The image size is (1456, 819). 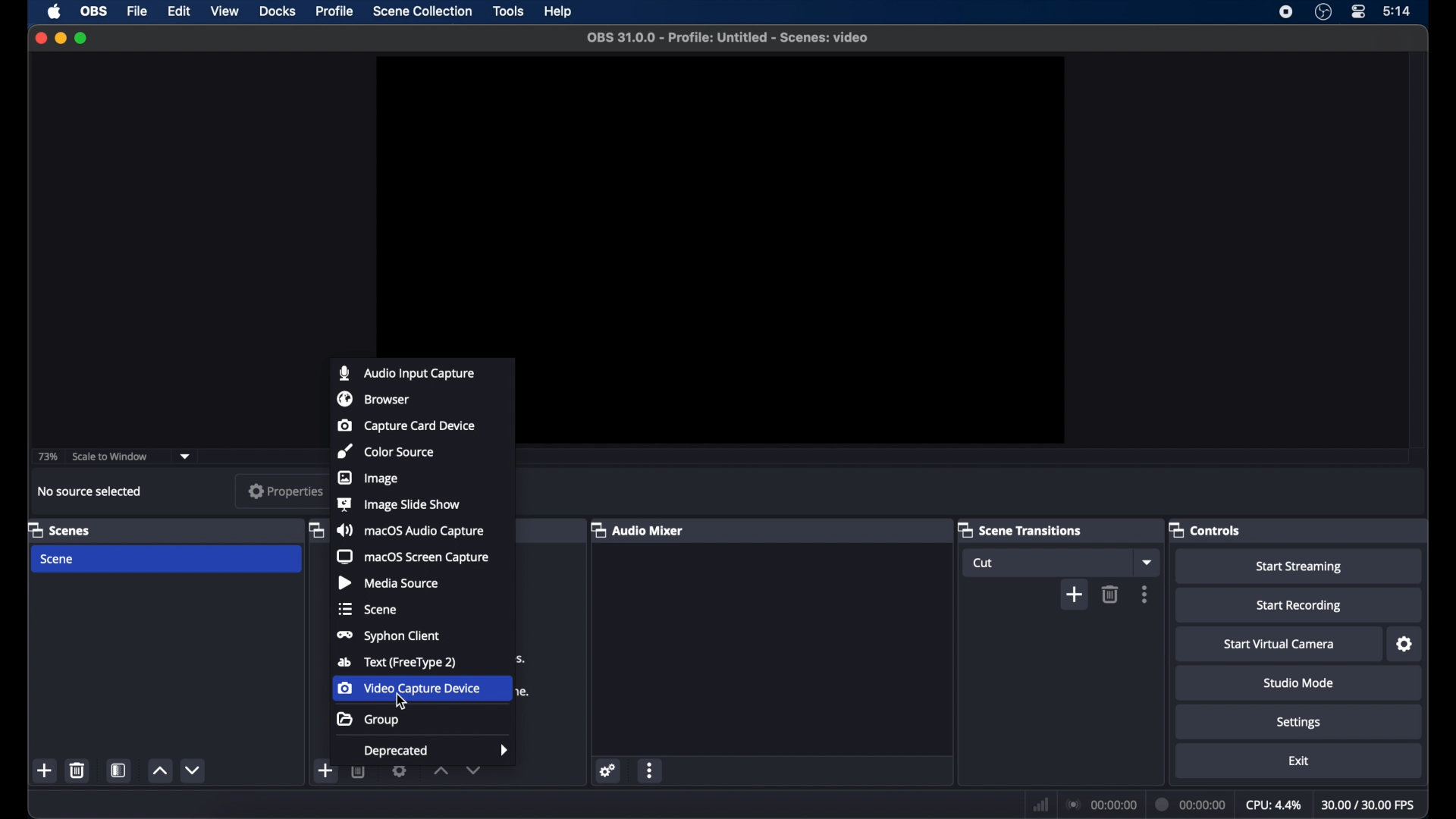 What do you see at coordinates (315, 529) in the screenshot?
I see `sources` at bounding box center [315, 529].